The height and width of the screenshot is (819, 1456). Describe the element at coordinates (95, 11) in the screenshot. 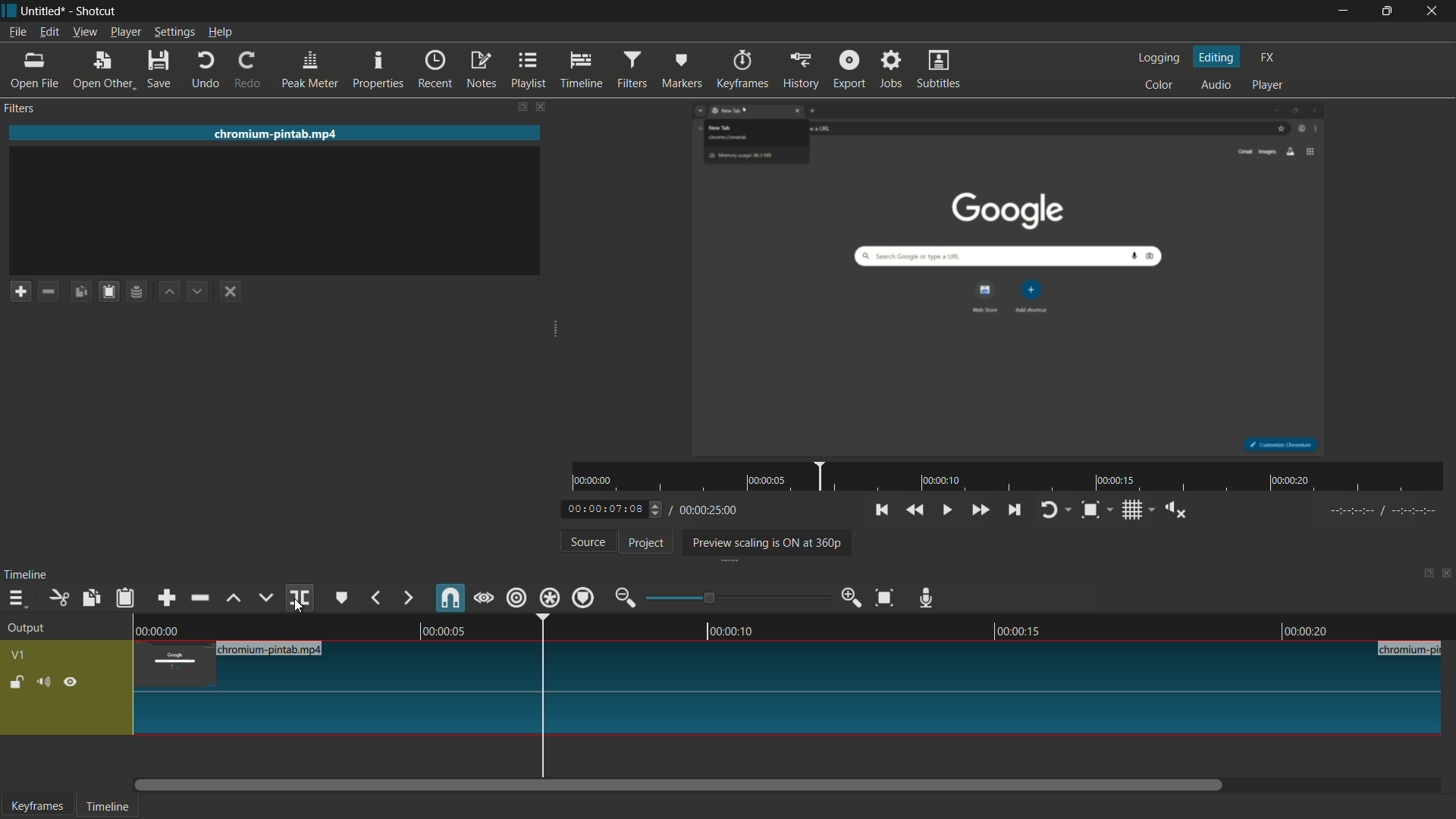

I see `app name` at that location.